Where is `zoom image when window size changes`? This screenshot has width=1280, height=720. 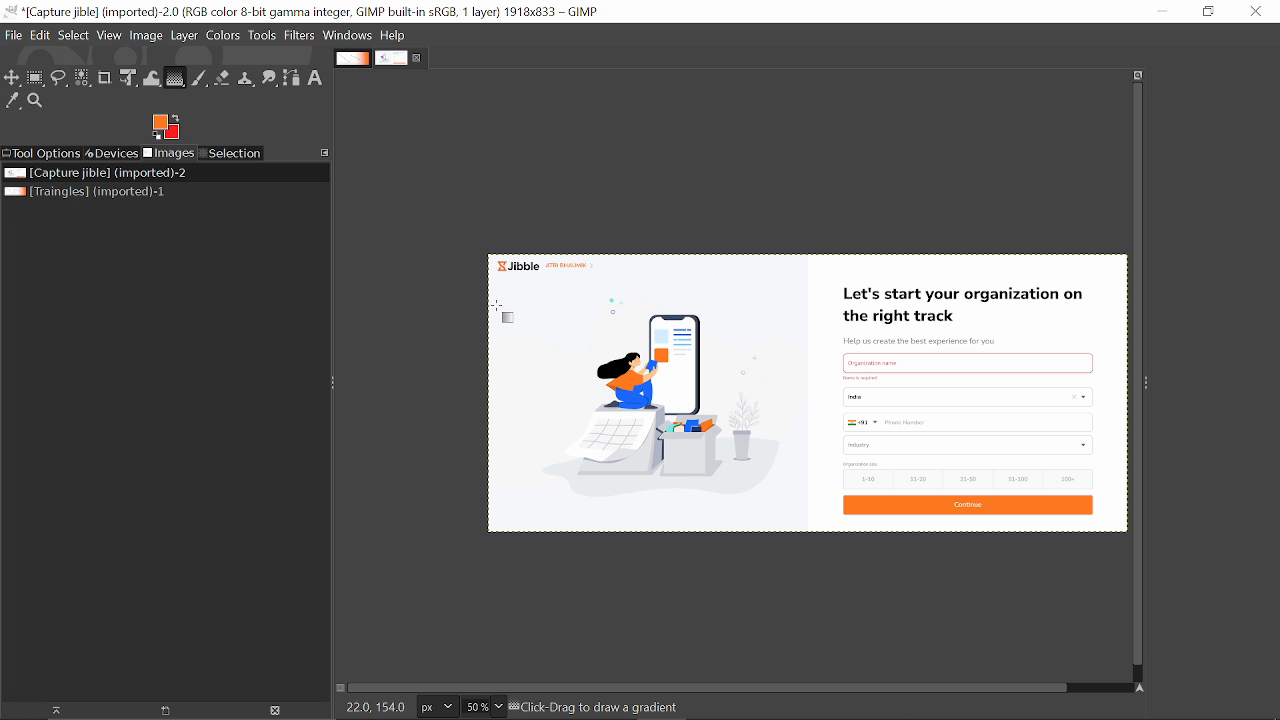
zoom image when window size changes is located at coordinates (1139, 73).